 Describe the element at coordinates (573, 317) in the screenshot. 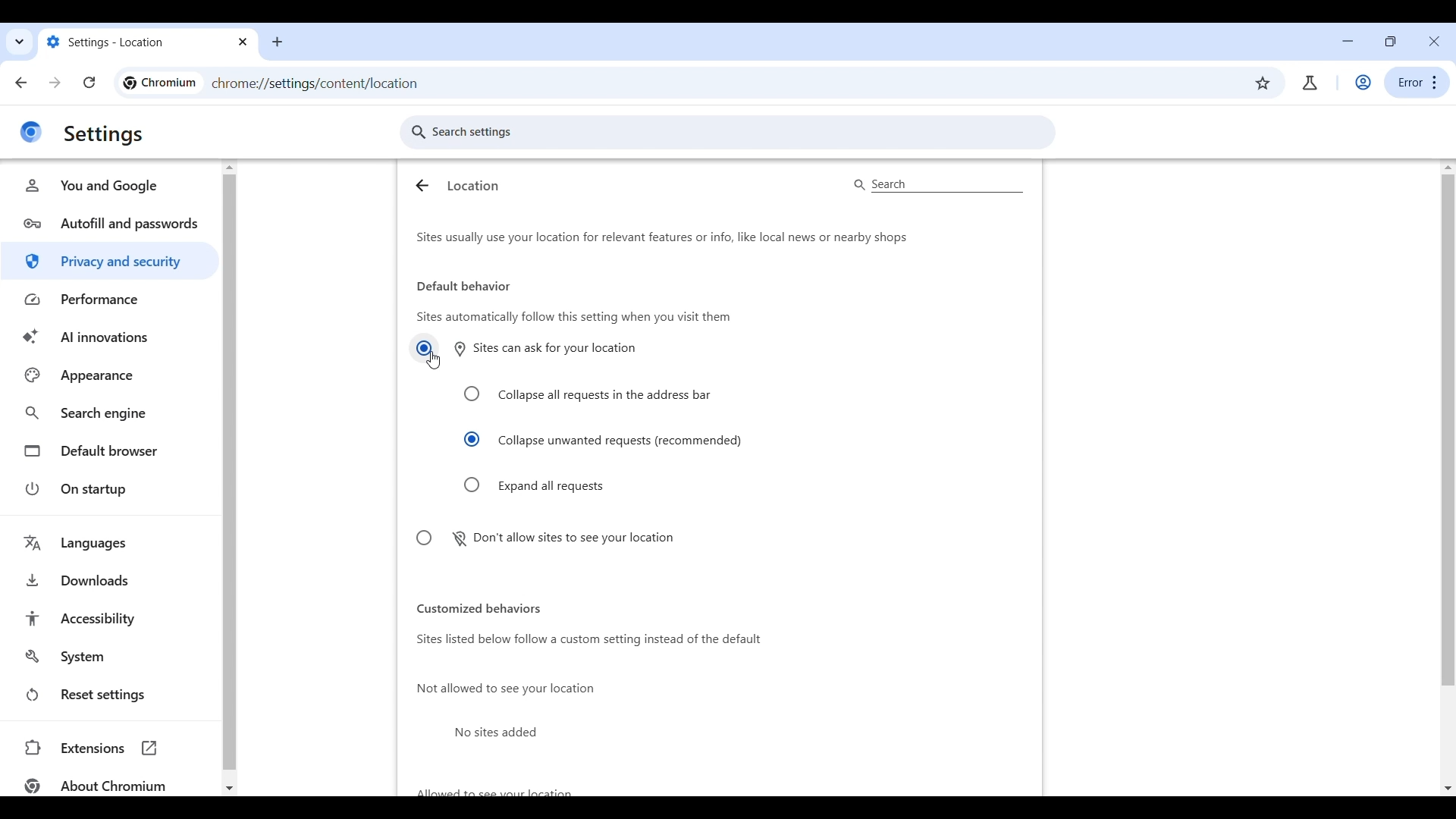

I see `sites automatically follow this setting when you visit them ` at that location.